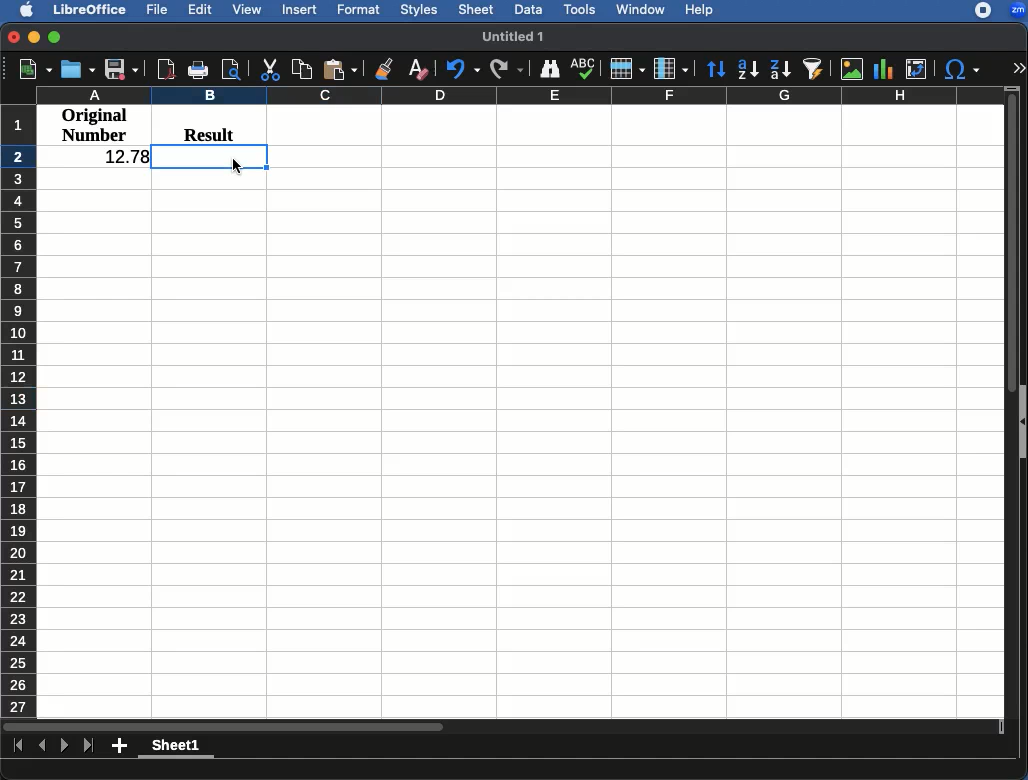 The image size is (1028, 780). I want to click on Insert, so click(301, 11).